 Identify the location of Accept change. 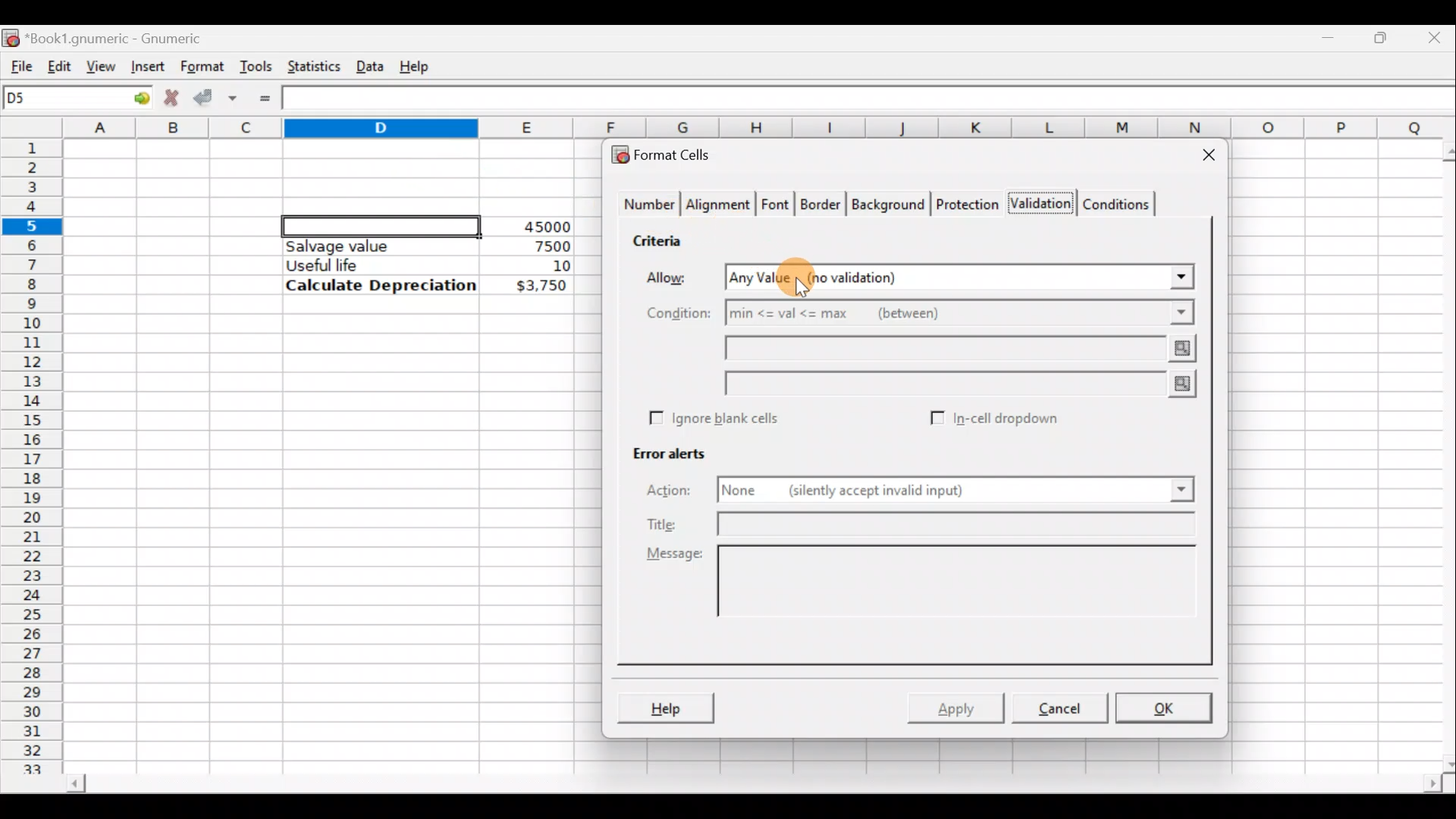
(215, 96).